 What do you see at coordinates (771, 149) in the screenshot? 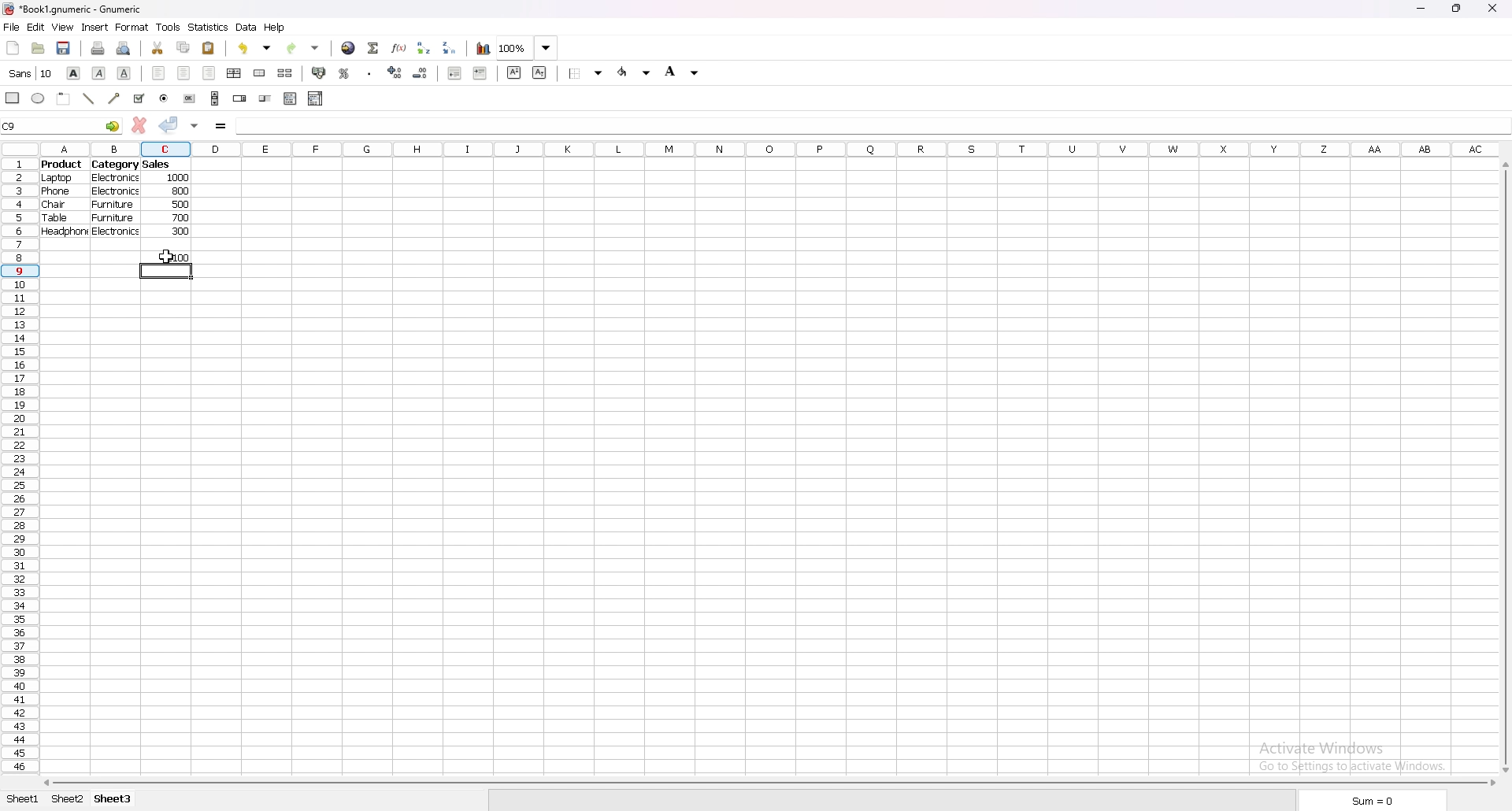
I see `column` at bounding box center [771, 149].